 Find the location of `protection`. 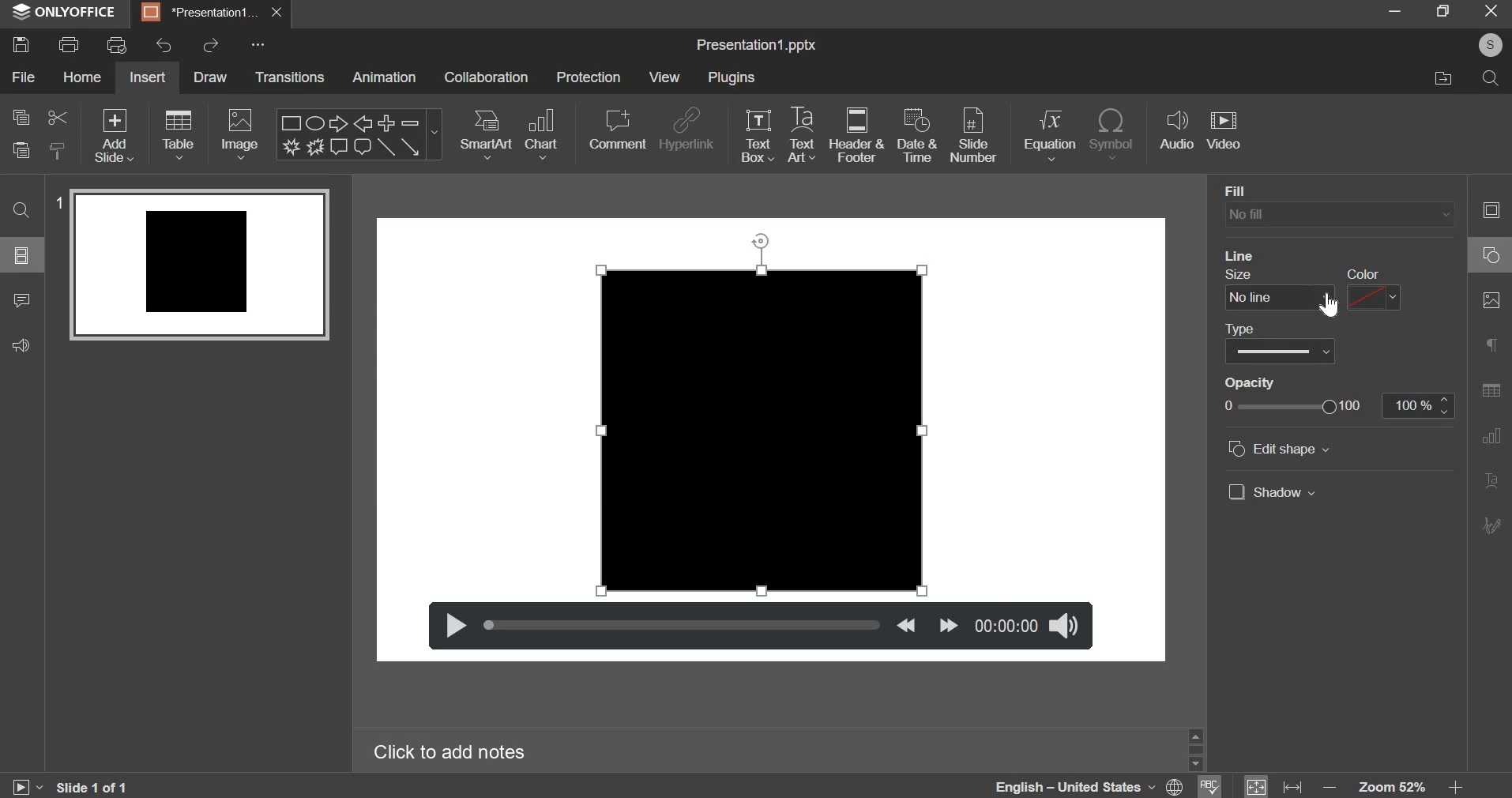

protection is located at coordinates (589, 77).